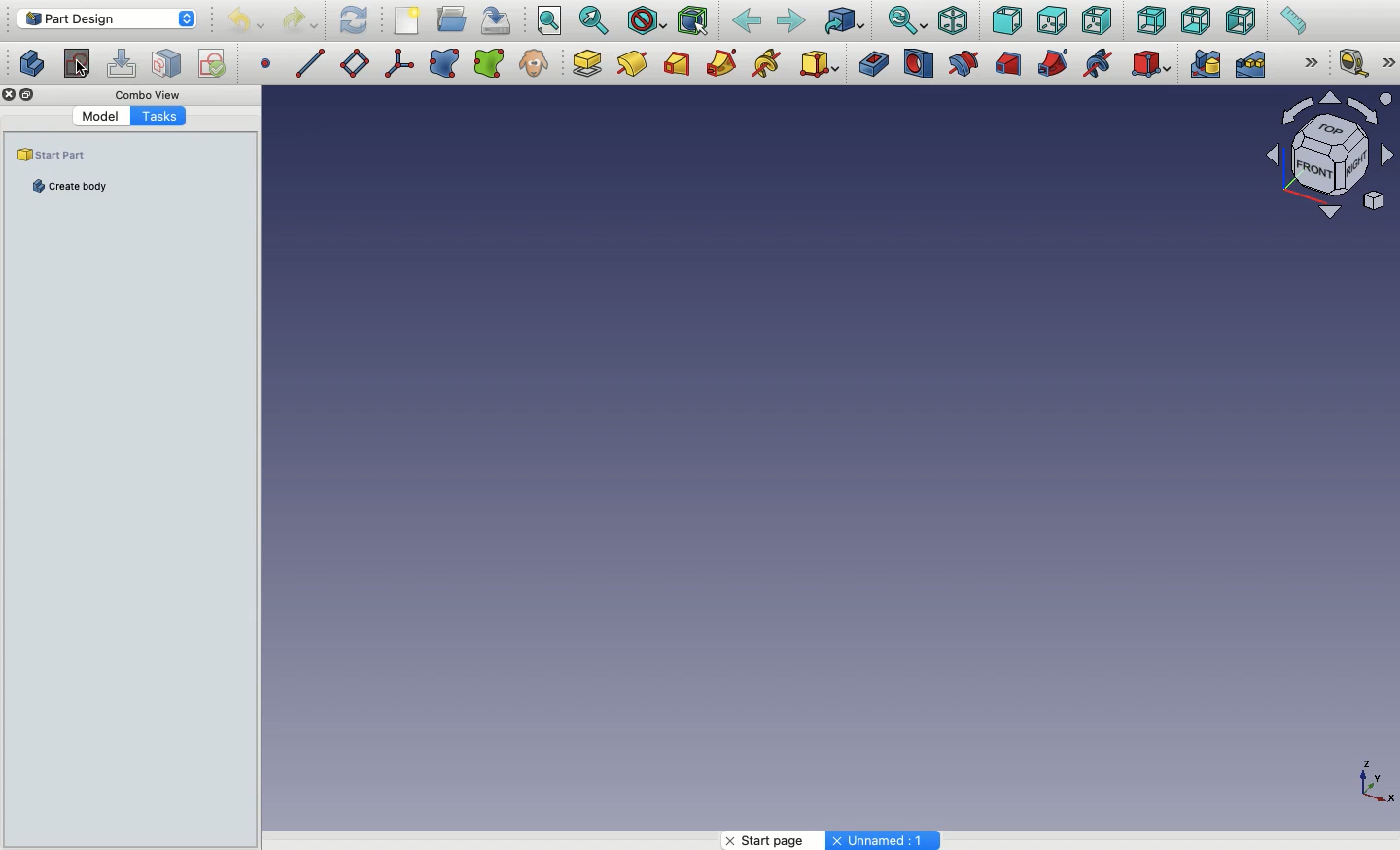 This screenshot has width=1400, height=850. Describe the element at coordinates (100, 117) in the screenshot. I see `Model` at that location.